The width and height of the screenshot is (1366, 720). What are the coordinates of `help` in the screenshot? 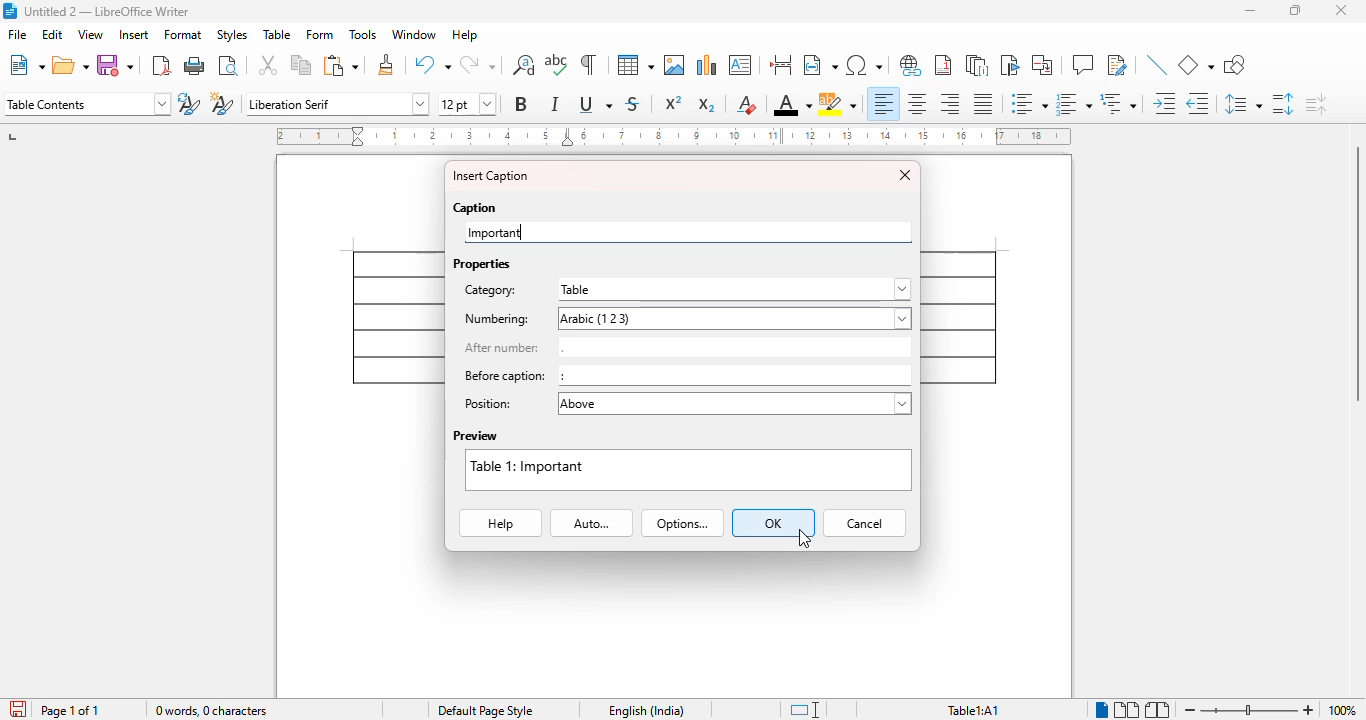 It's located at (465, 34).